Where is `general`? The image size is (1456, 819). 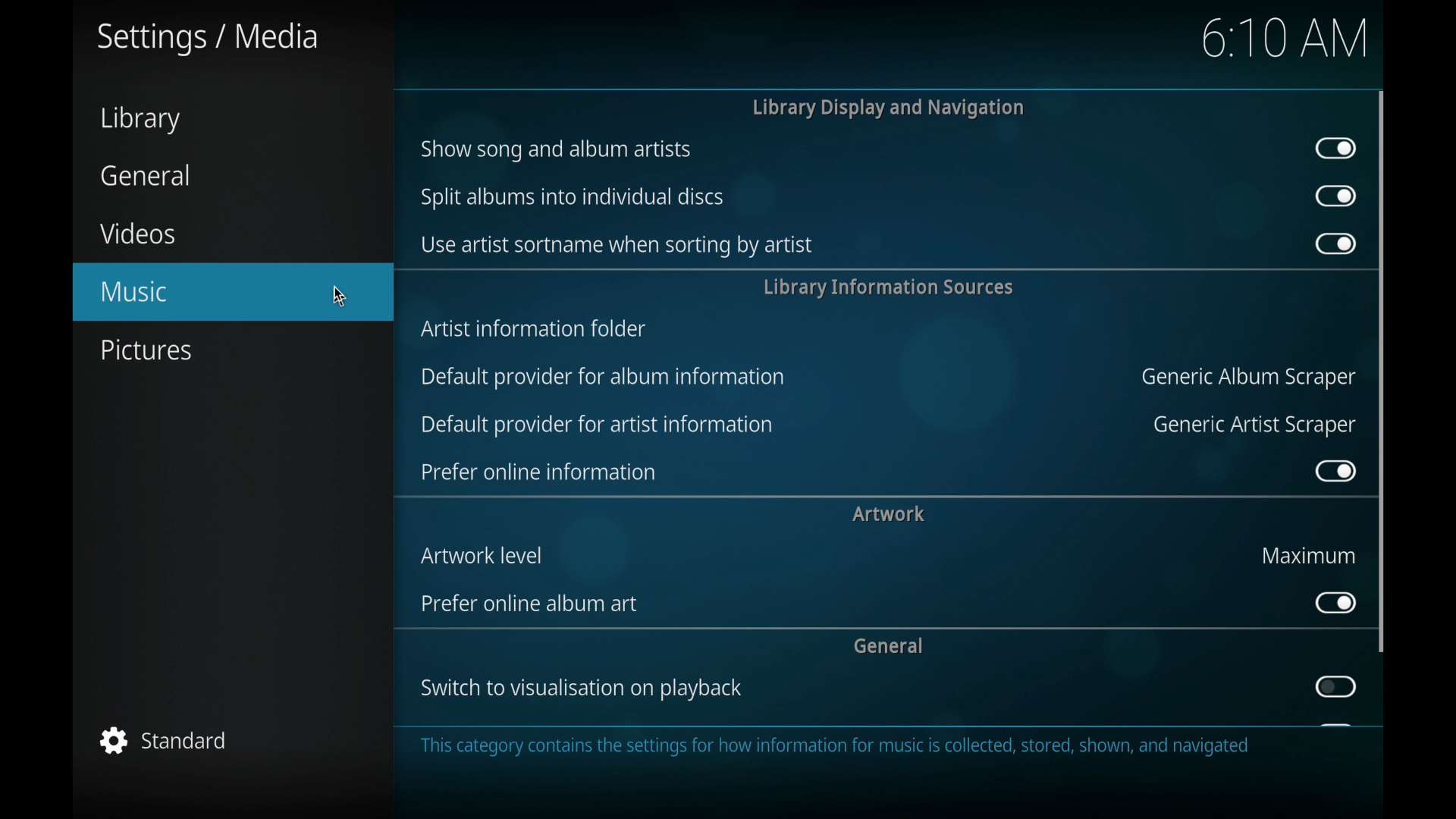 general is located at coordinates (889, 645).